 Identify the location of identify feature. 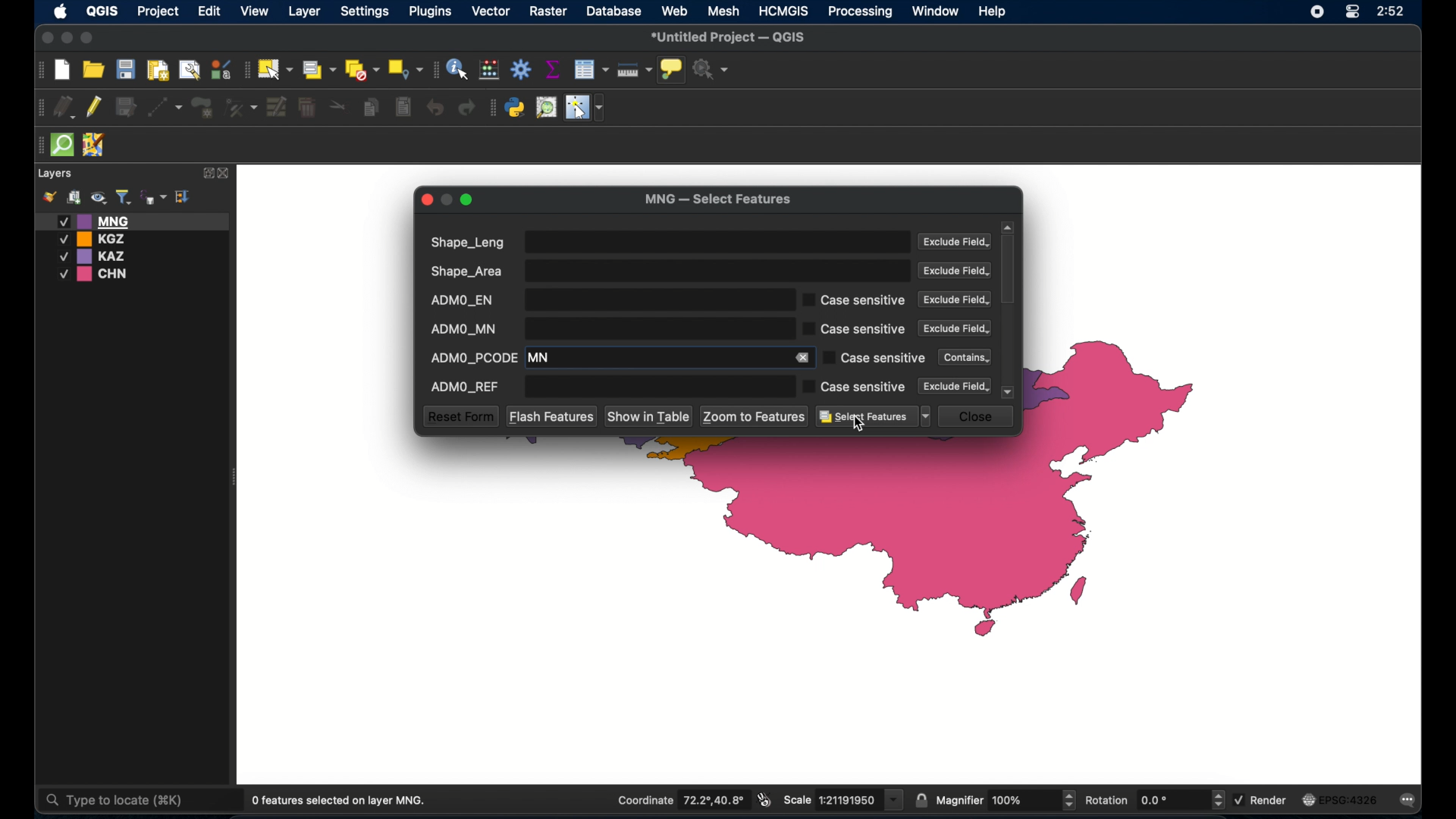
(459, 69).